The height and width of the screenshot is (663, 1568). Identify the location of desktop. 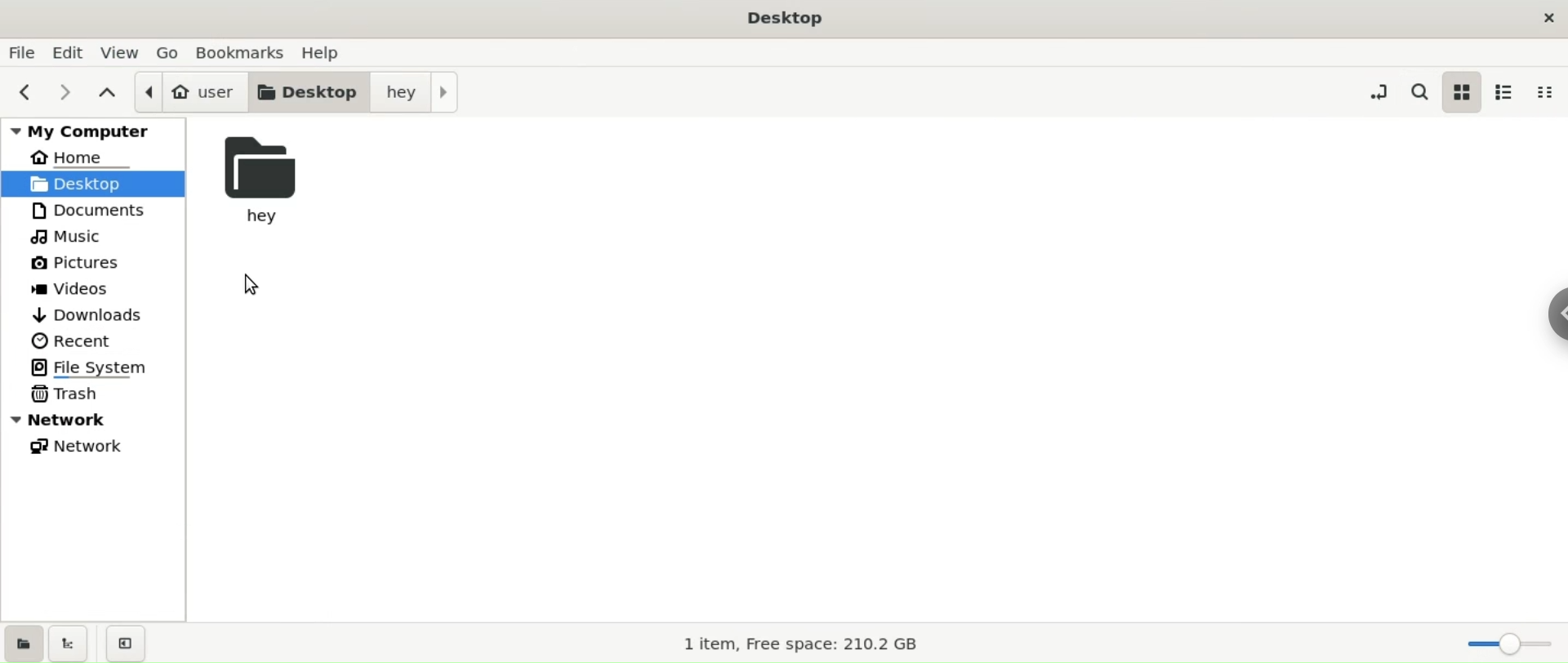
(307, 92).